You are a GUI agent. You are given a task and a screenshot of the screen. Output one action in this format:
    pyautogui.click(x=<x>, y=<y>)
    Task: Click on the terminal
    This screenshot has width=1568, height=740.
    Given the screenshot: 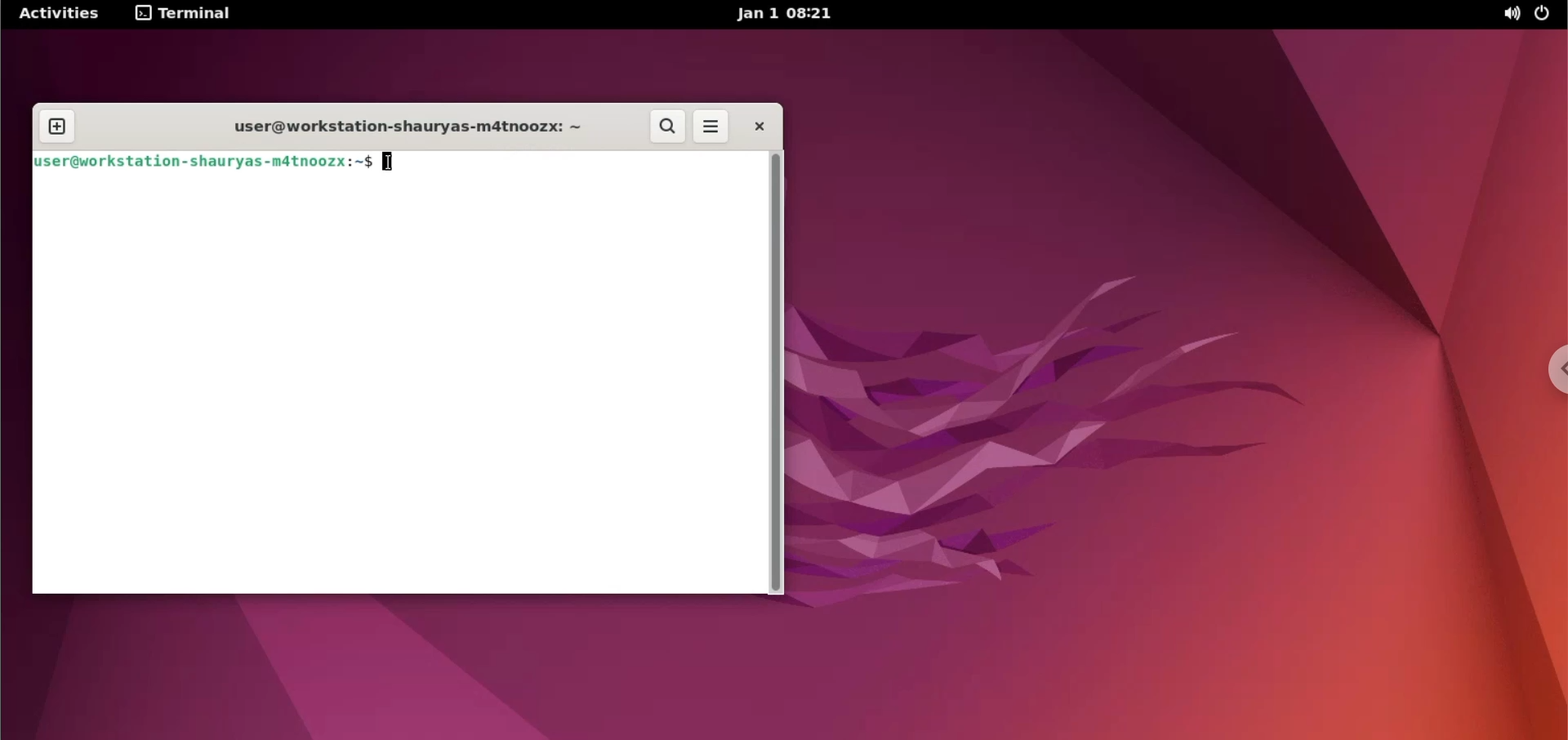 What is the action you would take?
    pyautogui.click(x=187, y=15)
    